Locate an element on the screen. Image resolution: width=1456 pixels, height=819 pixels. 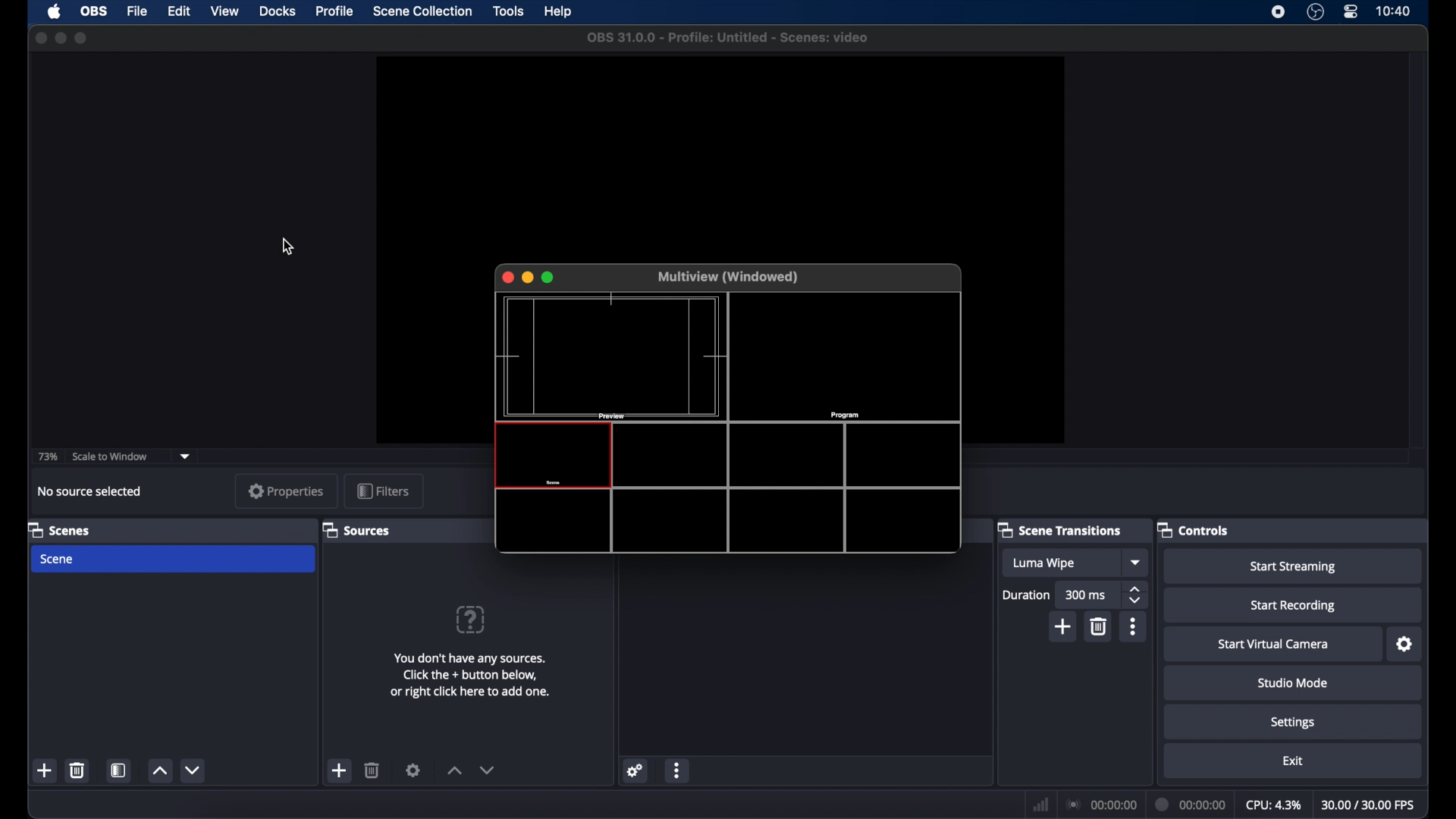
add is located at coordinates (1062, 626).